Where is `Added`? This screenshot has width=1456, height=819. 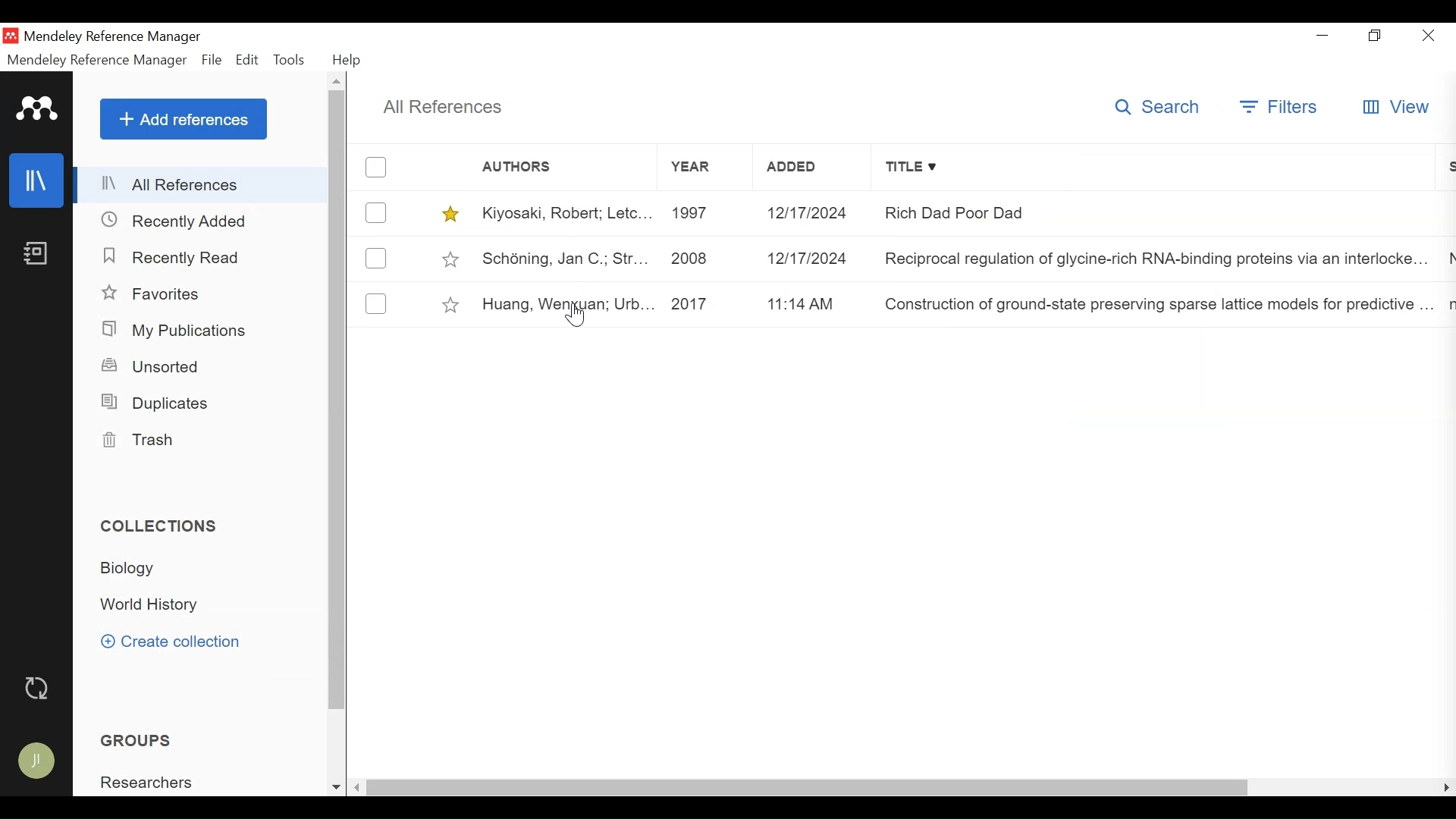
Added is located at coordinates (808, 168).